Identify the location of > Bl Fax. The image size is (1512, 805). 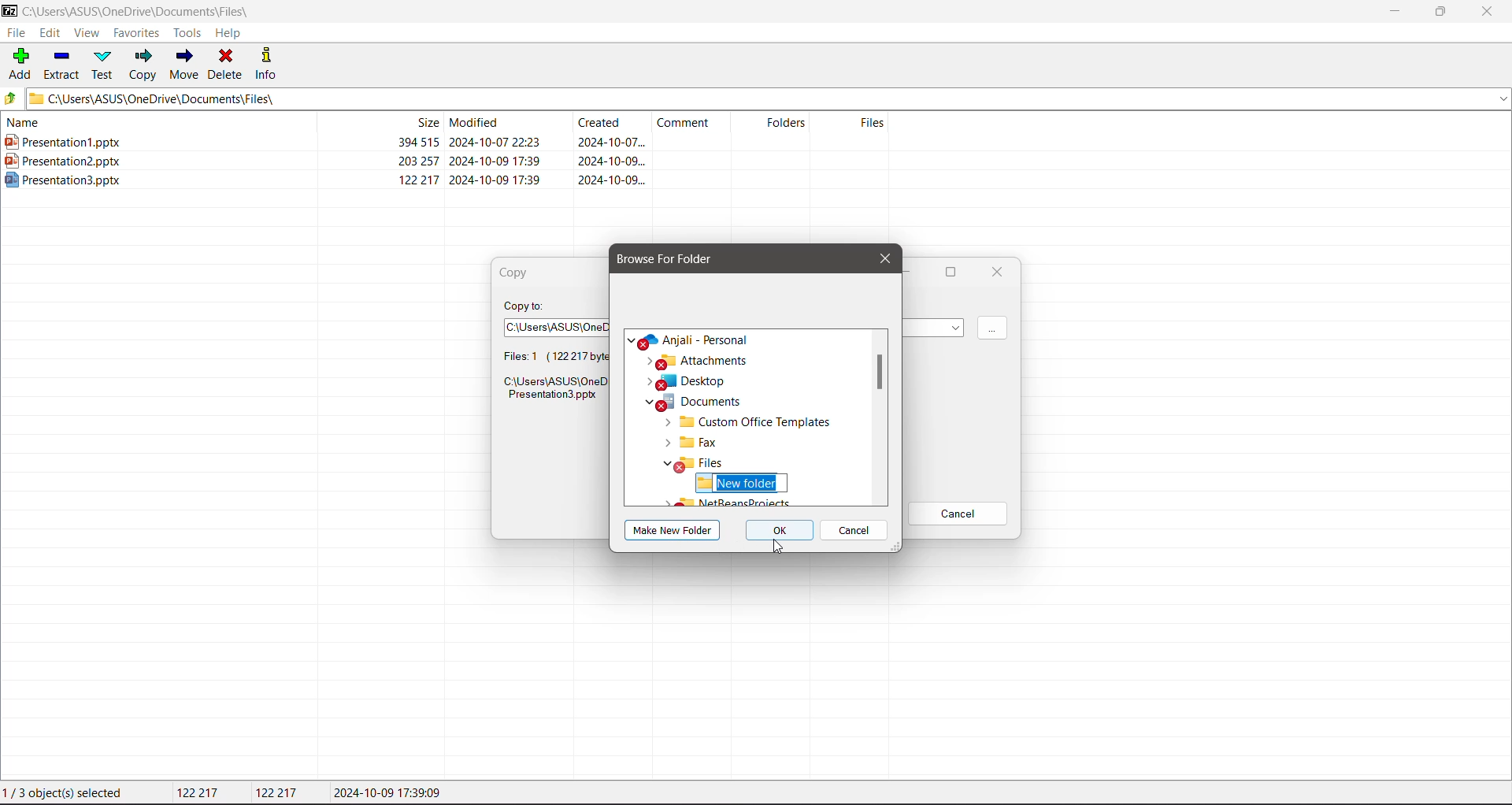
(686, 463).